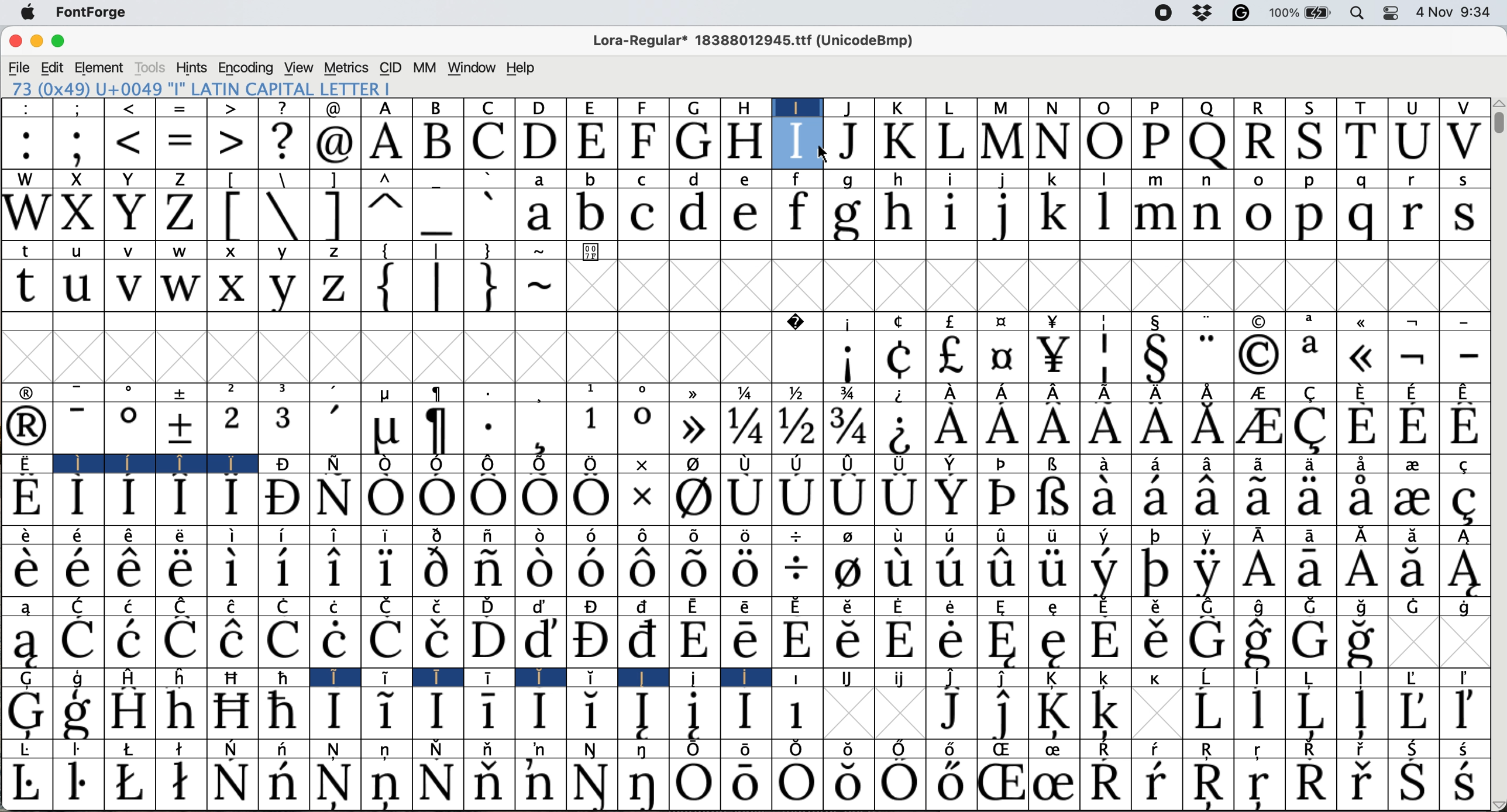 The height and width of the screenshot is (812, 1507). Describe the element at coordinates (1261, 499) in the screenshot. I see `Symbol` at that location.